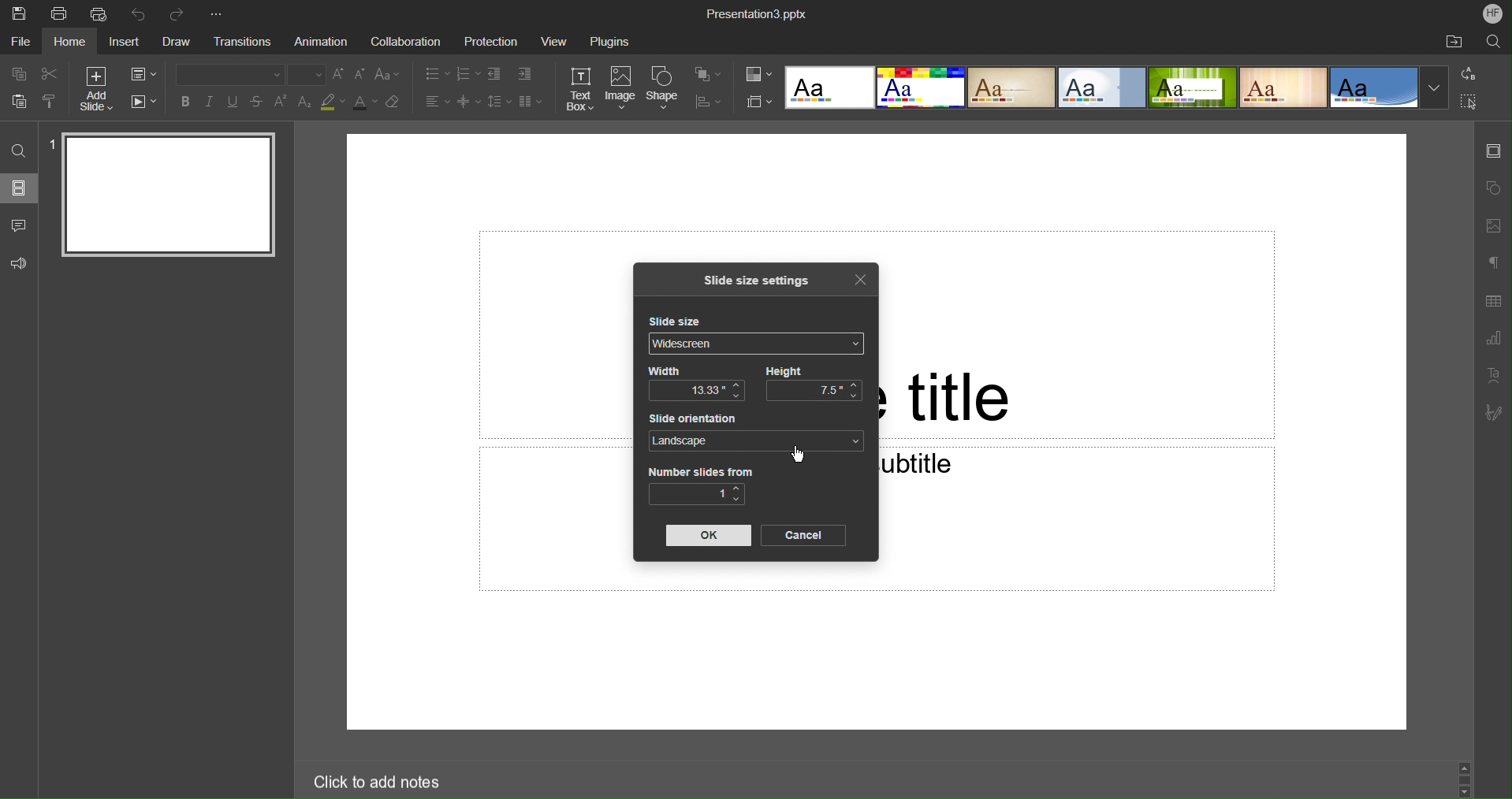 The height and width of the screenshot is (799, 1512). Describe the element at coordinates (19, 43) in the screenshot. I see `File` at that location.